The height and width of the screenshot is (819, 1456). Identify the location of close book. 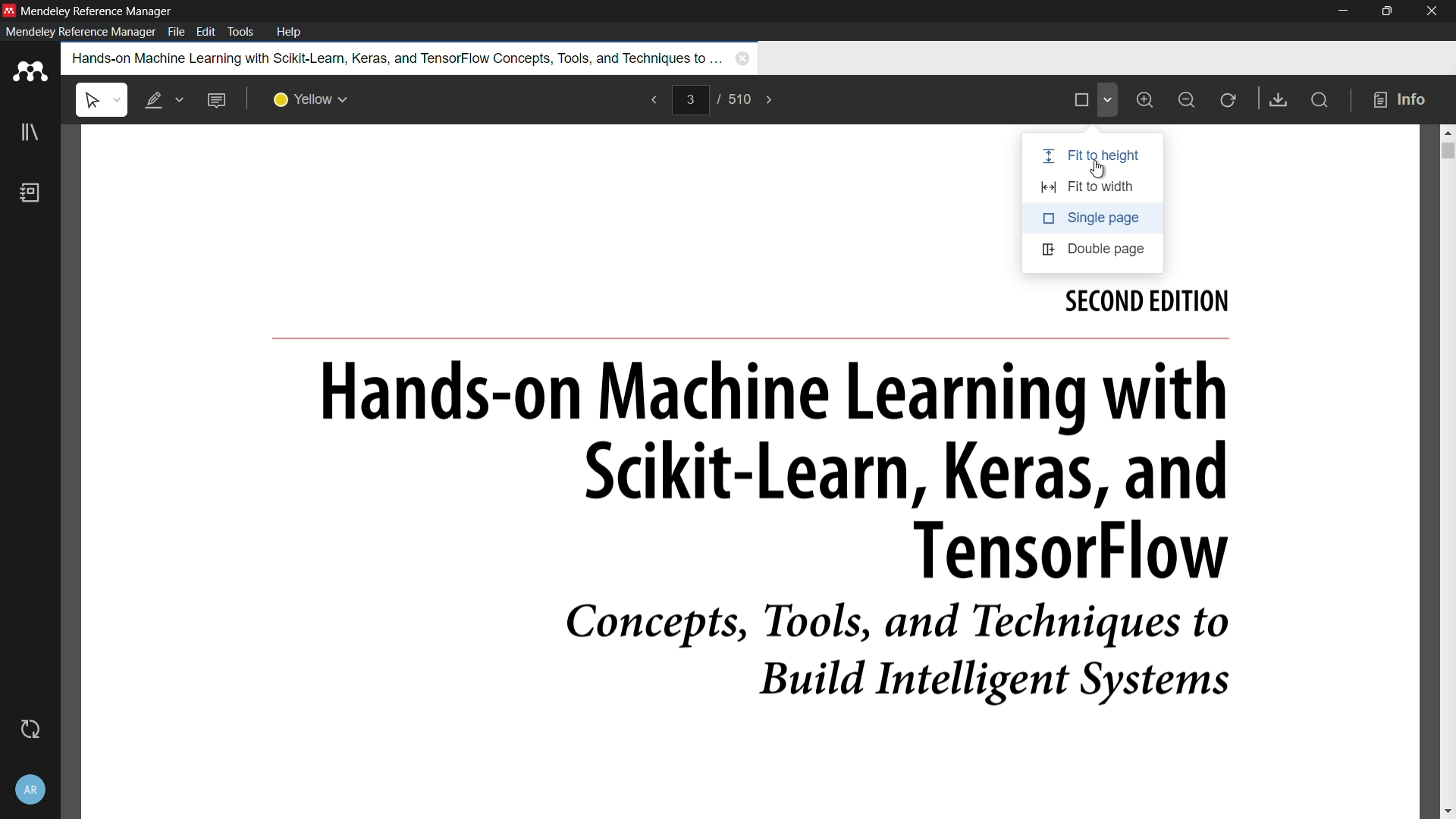
(743, 58).